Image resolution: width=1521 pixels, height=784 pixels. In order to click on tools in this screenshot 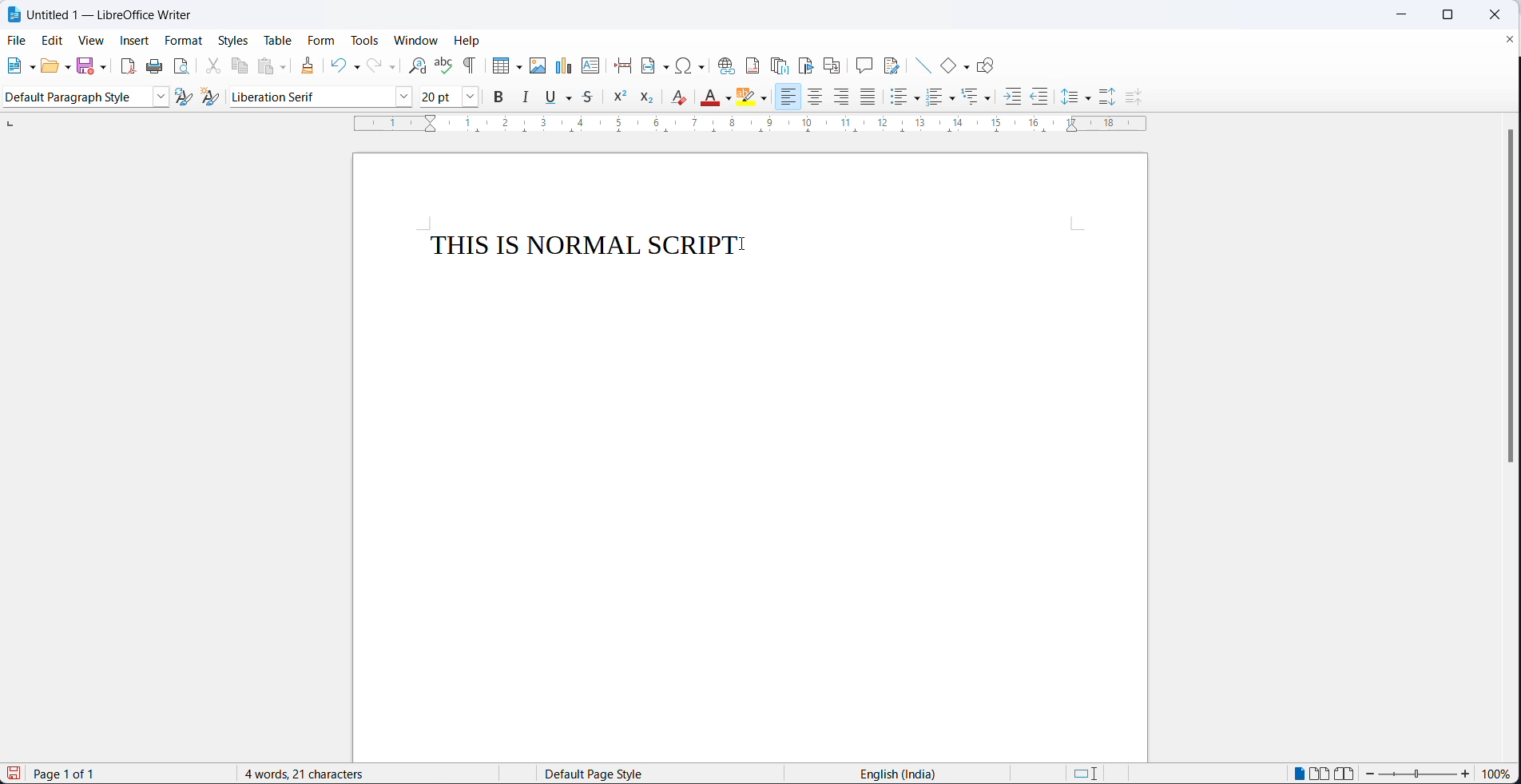, I will do `click(364, 42)`.